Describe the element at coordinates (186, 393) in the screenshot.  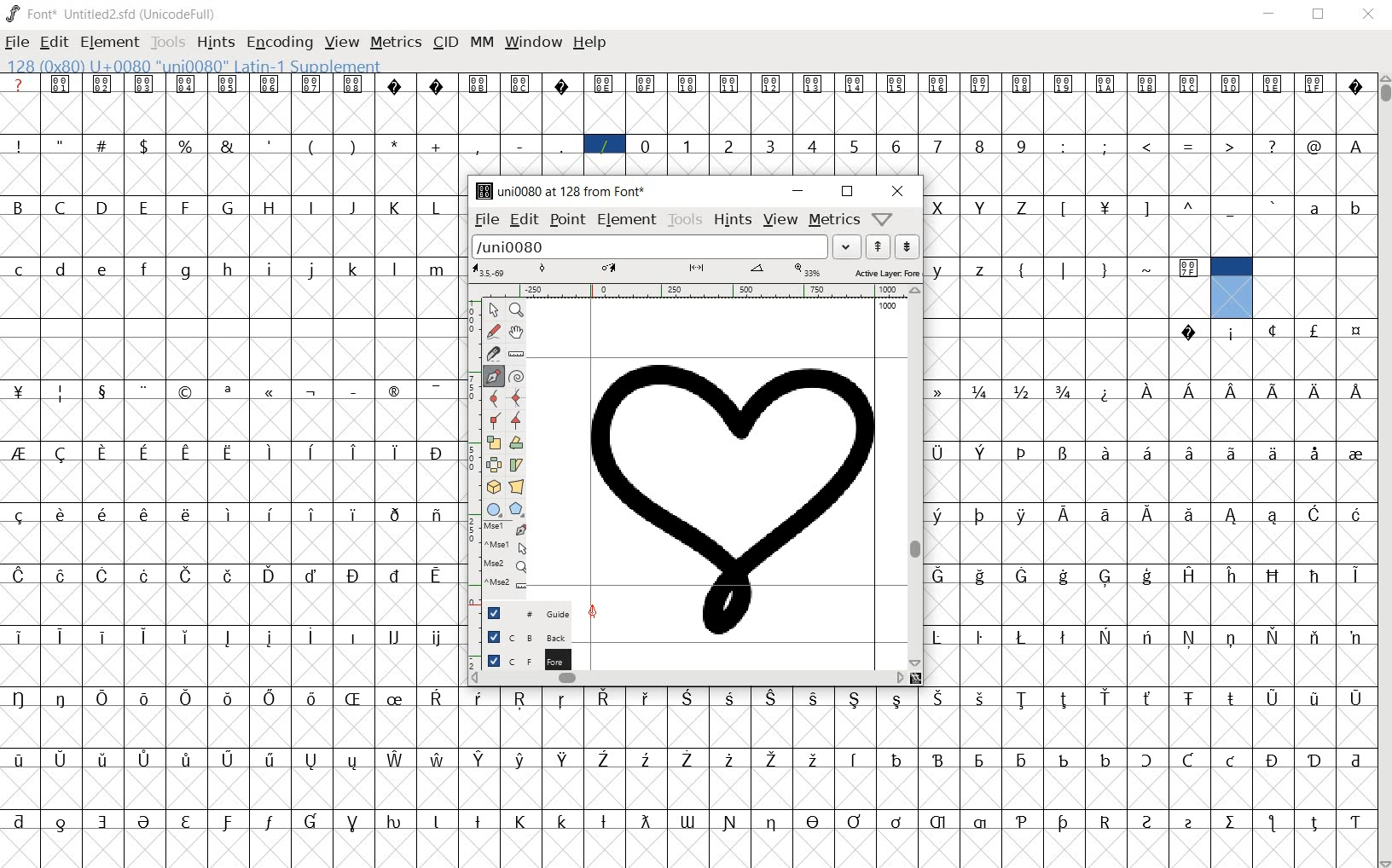
I see `glyph` at that location.